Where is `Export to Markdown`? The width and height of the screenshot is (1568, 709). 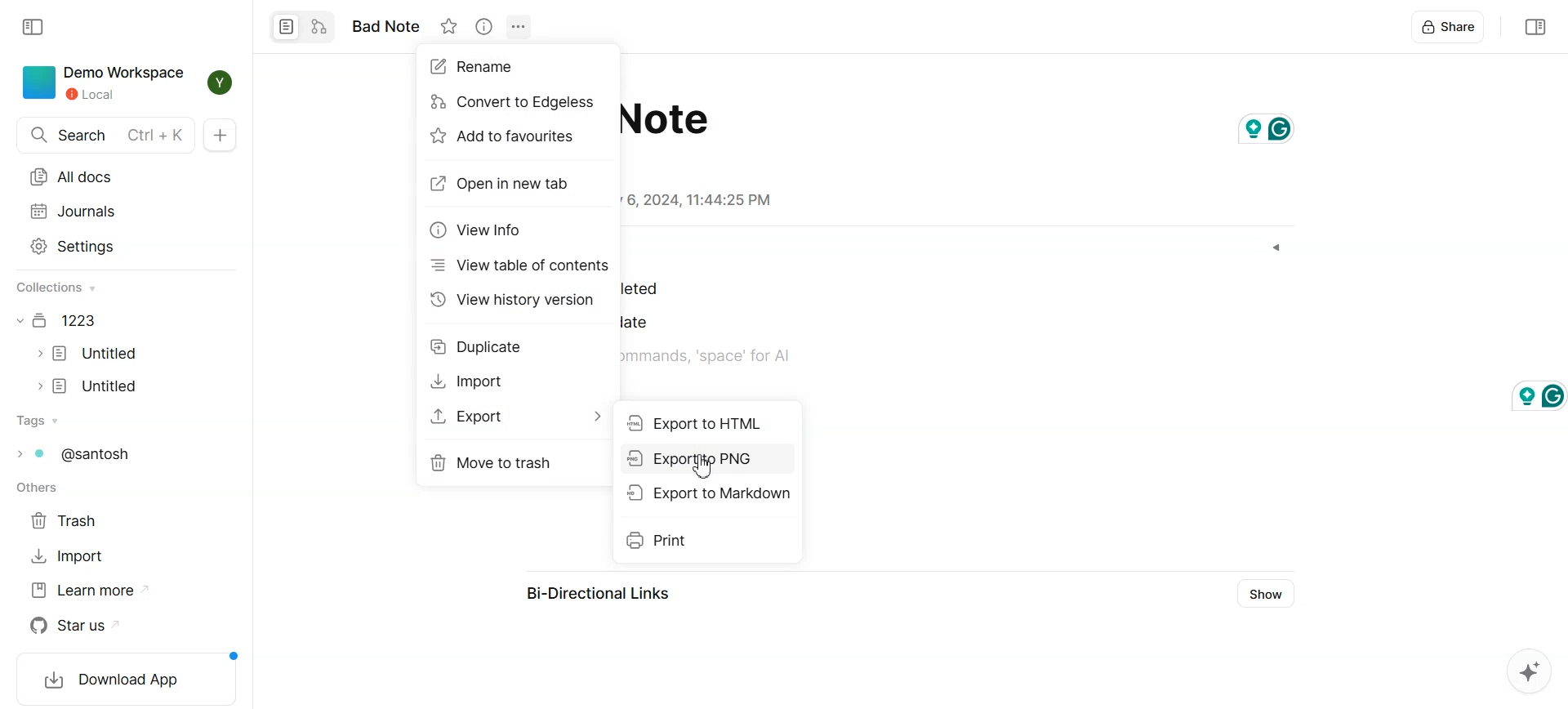
Export to Markdown is located at coordinates (706, 492).